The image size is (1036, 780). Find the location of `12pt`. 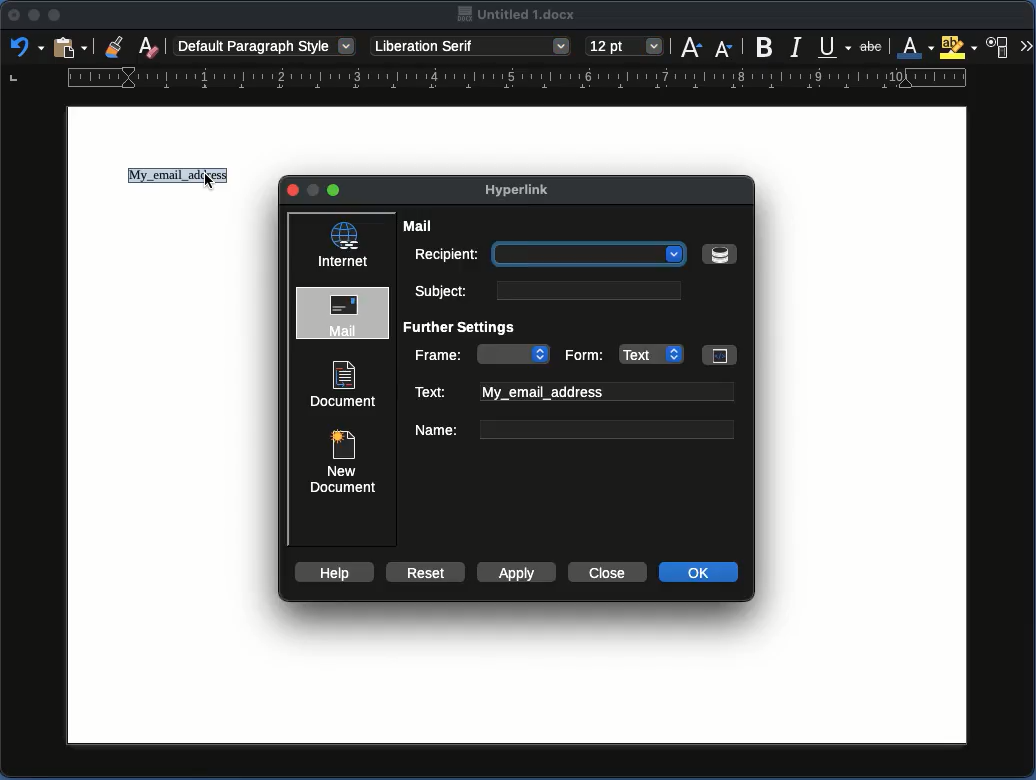

12pt is located at coordinates (625, 45).